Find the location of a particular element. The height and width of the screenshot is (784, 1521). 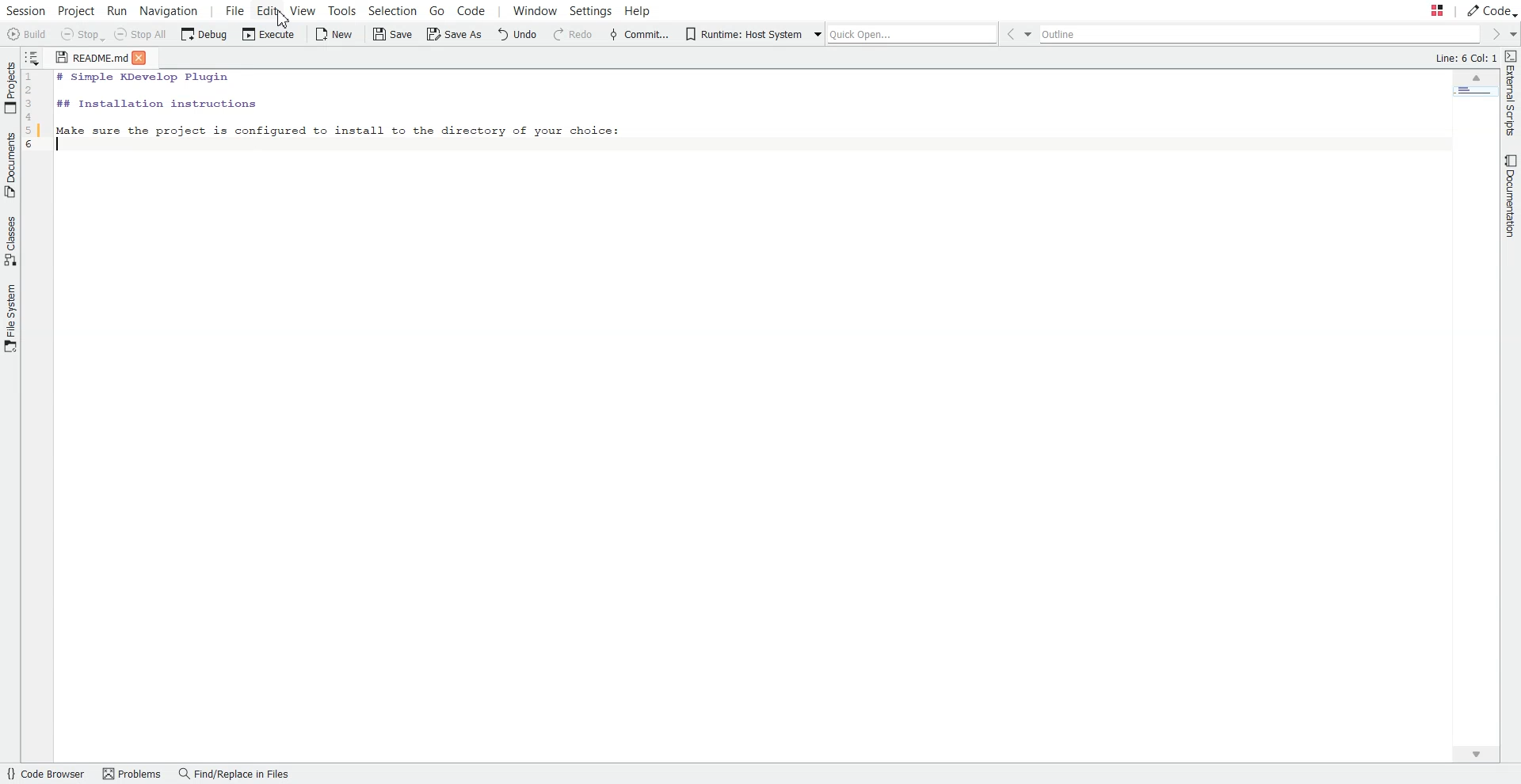

Code is located at coordinates (480, 11).